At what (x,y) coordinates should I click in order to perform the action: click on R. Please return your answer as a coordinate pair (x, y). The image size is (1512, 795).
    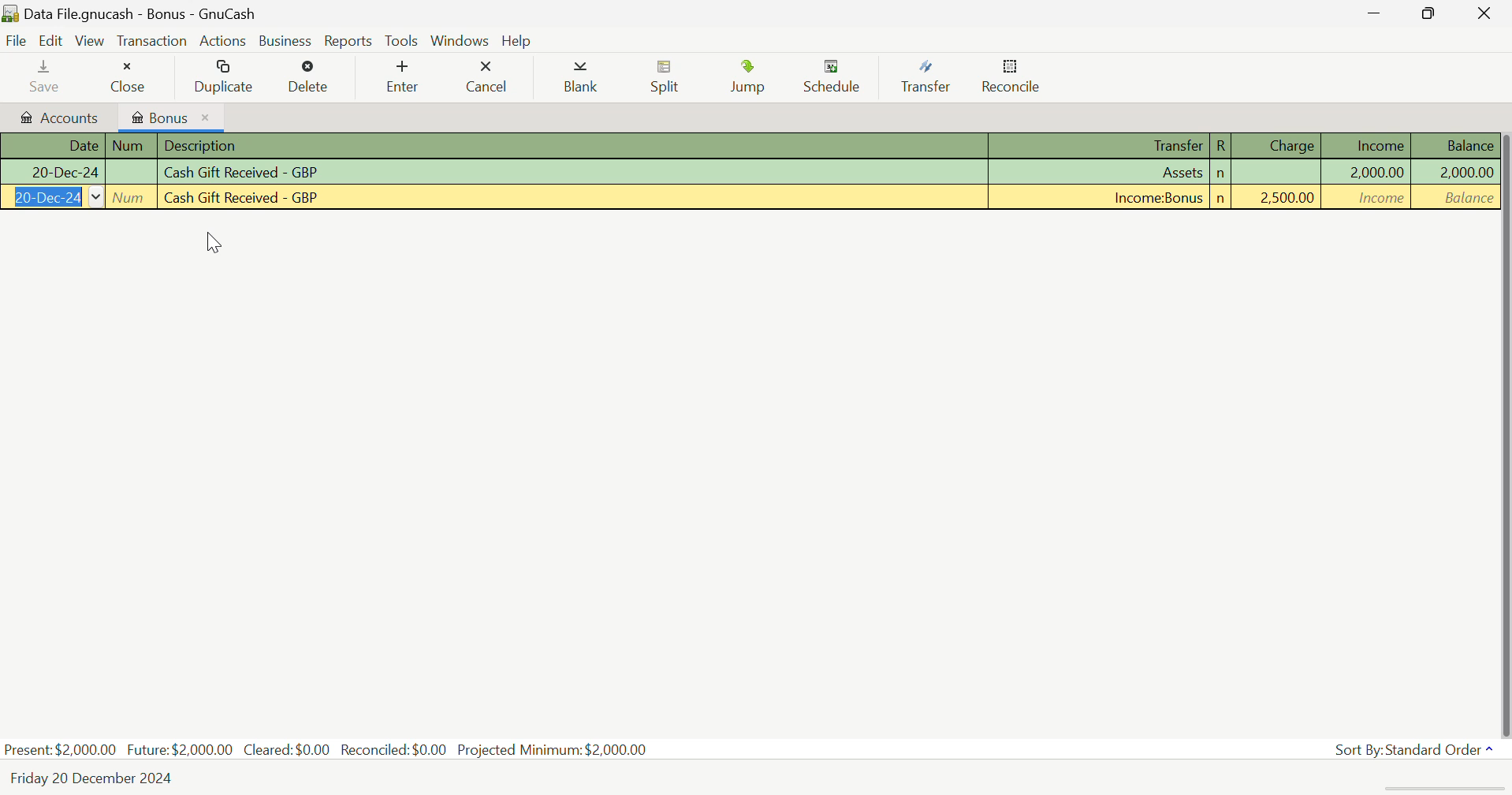
    Looking at the image, I should click on (1220, 146).